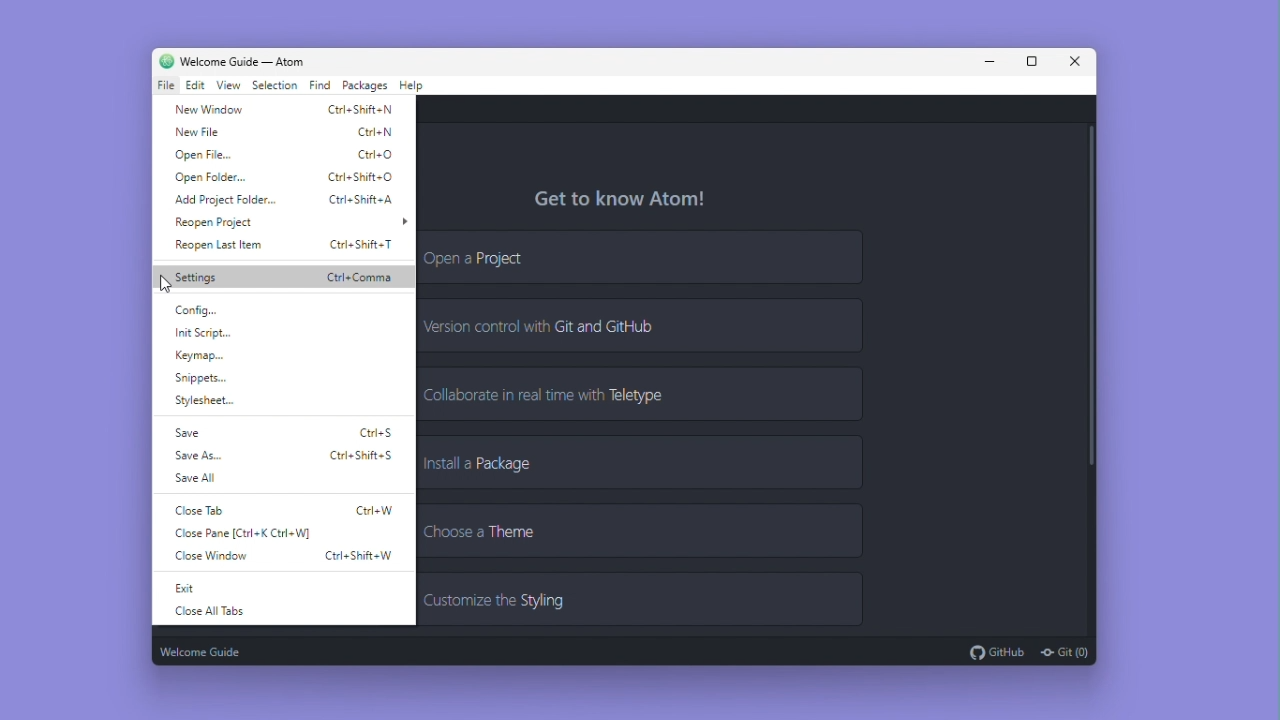  Describe the element at coordinates (642, 464) in the screenshot. I see `Install a package` at that location.